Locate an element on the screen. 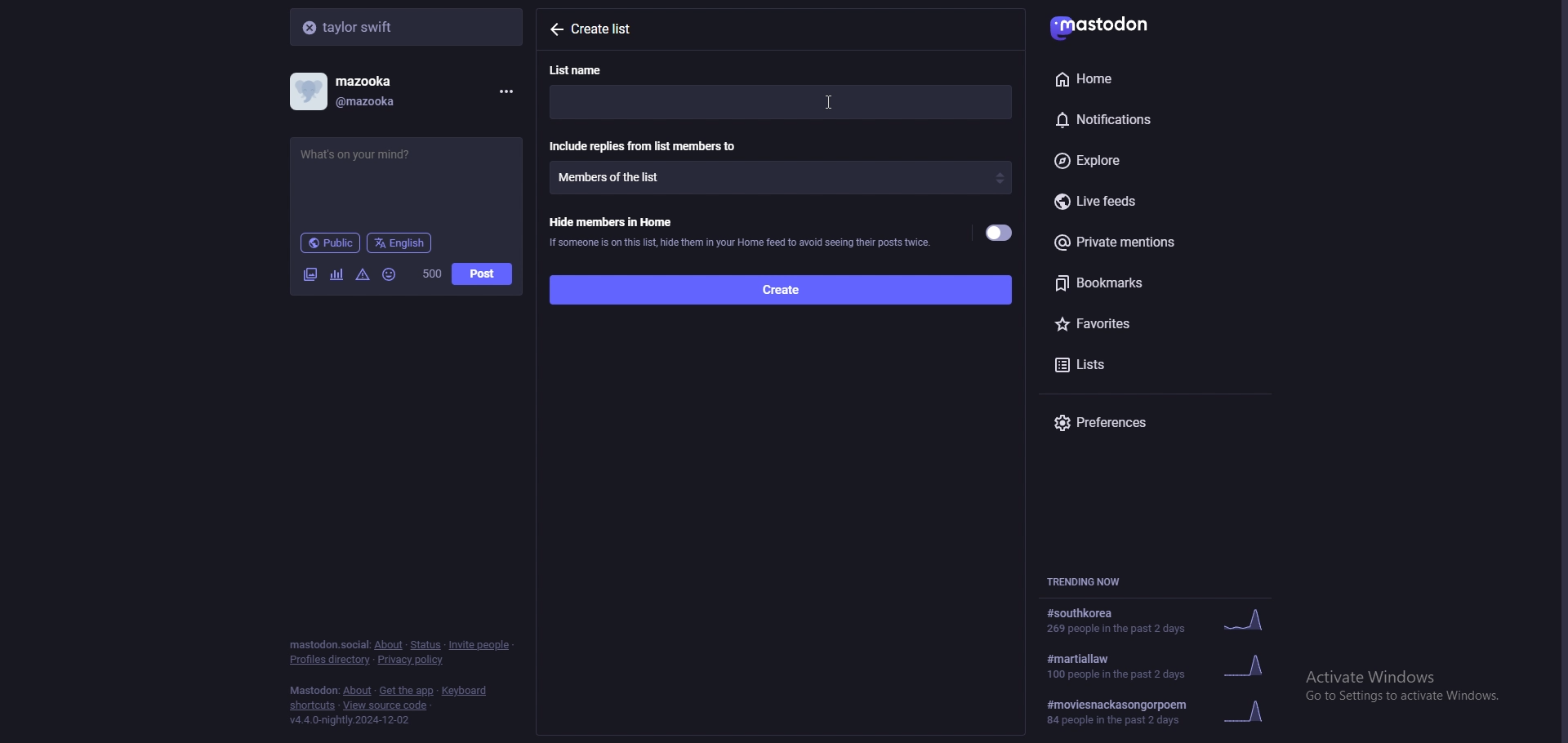 The height and width of the screenshot is (743, 1568). view source code is located at coordinates (385, 706).